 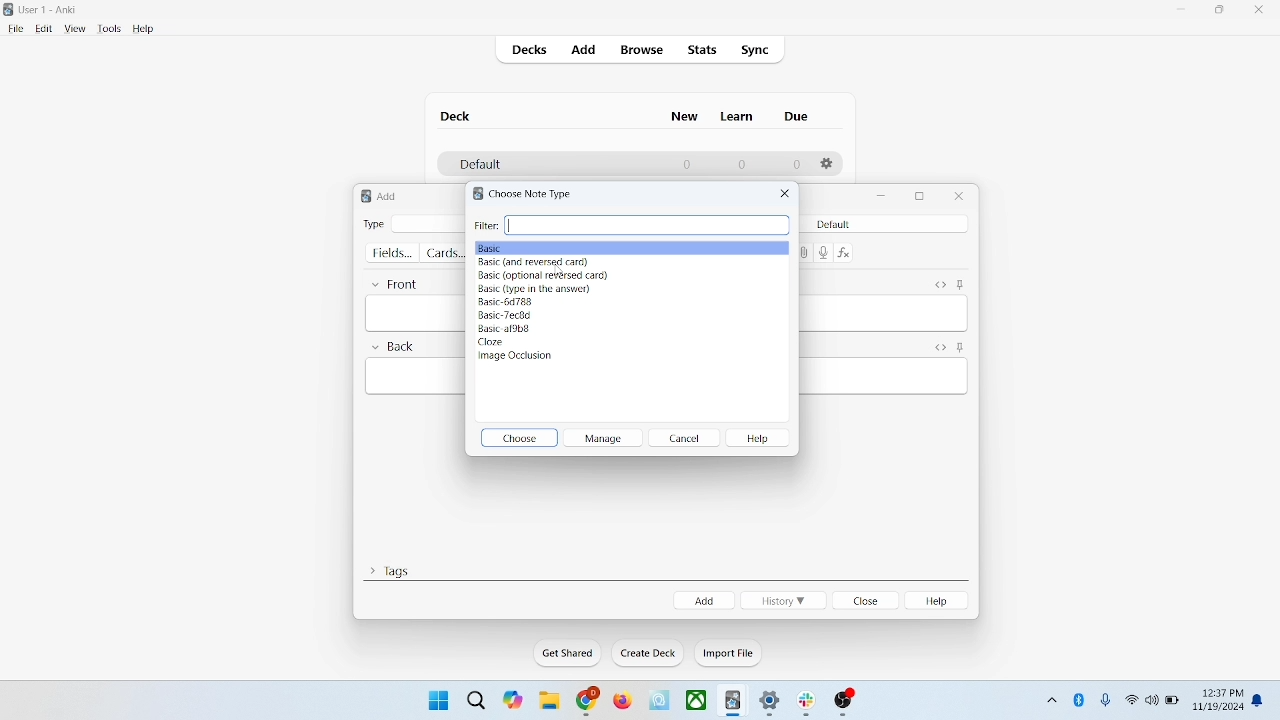 What do you see at coordinates (939, 348) in the screenshot?
I see `HTML editor` at bounding box center [939, 348].